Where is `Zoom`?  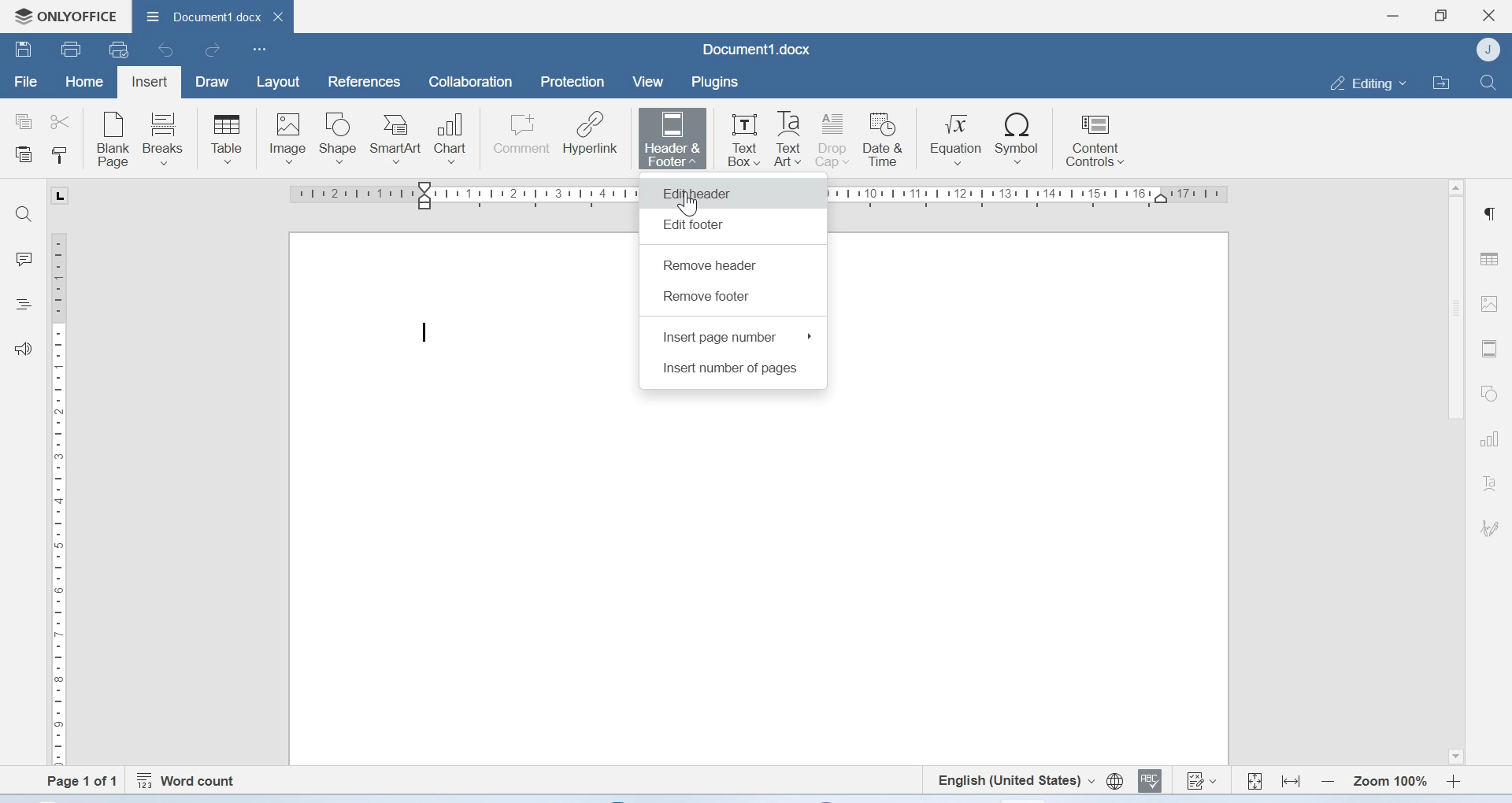
Zoom is located at coordinates (1389, 779).